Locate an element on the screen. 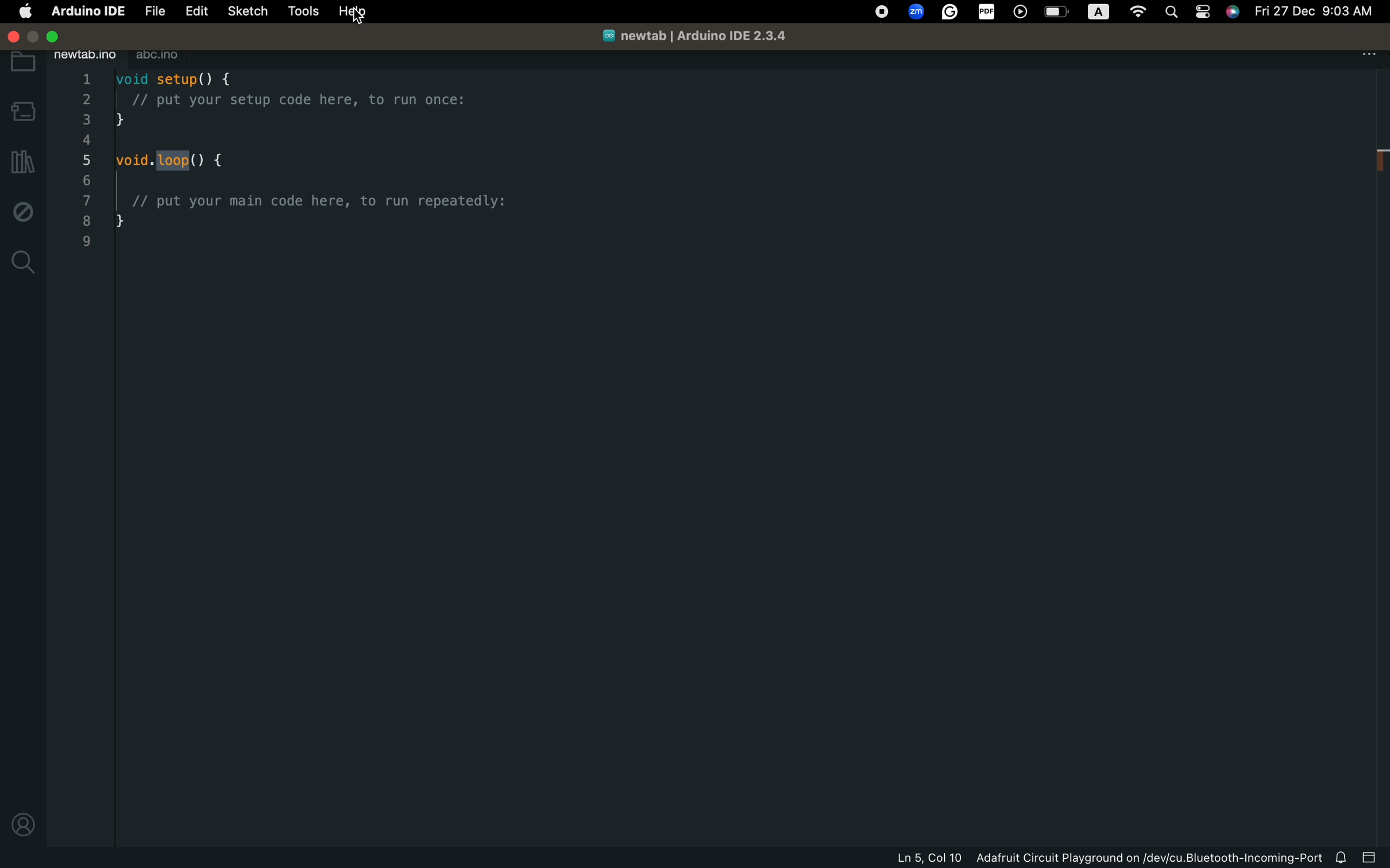  Page is located at coordinates (1205, 14).